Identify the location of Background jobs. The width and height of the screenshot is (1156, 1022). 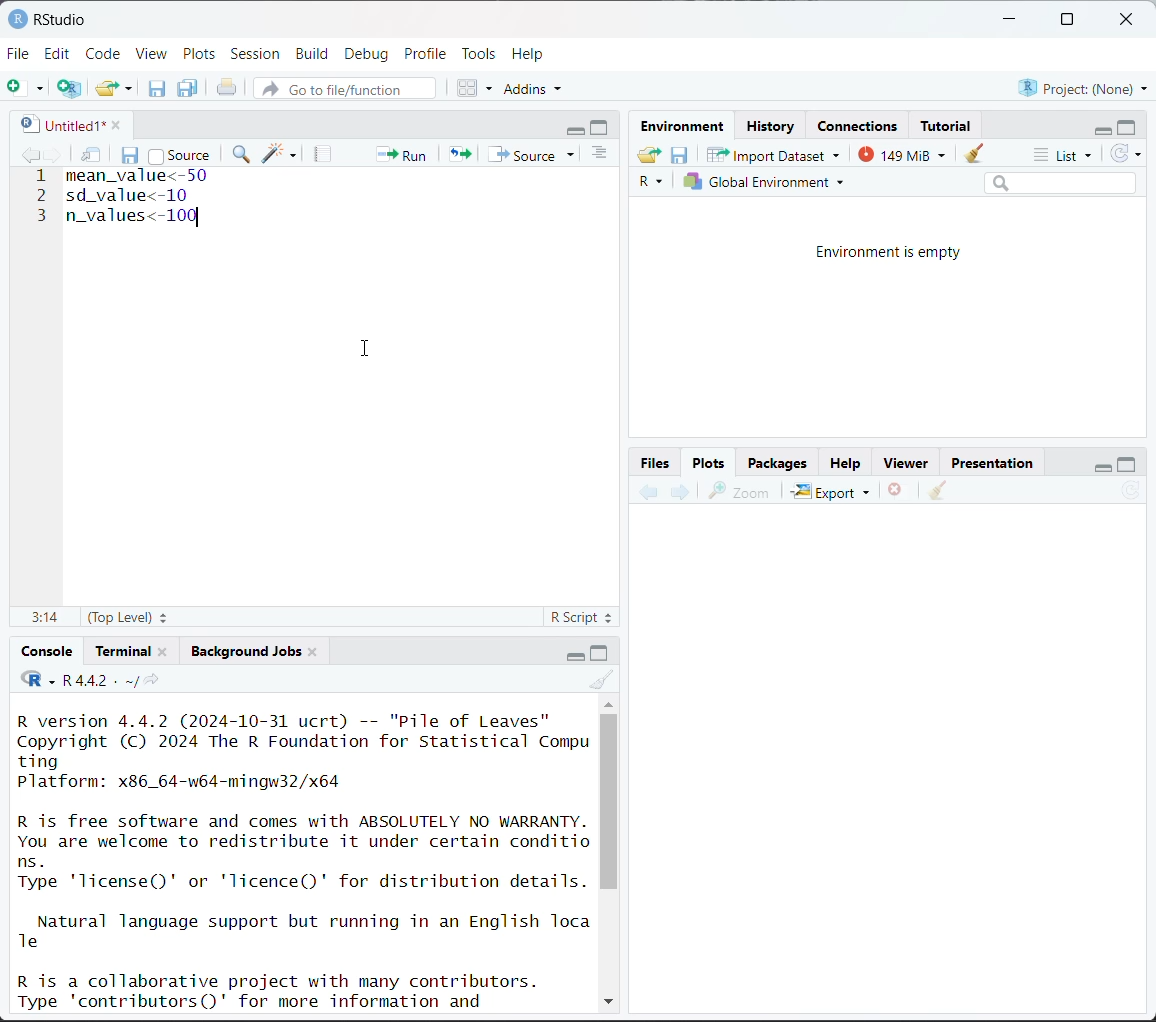
(246, 651).